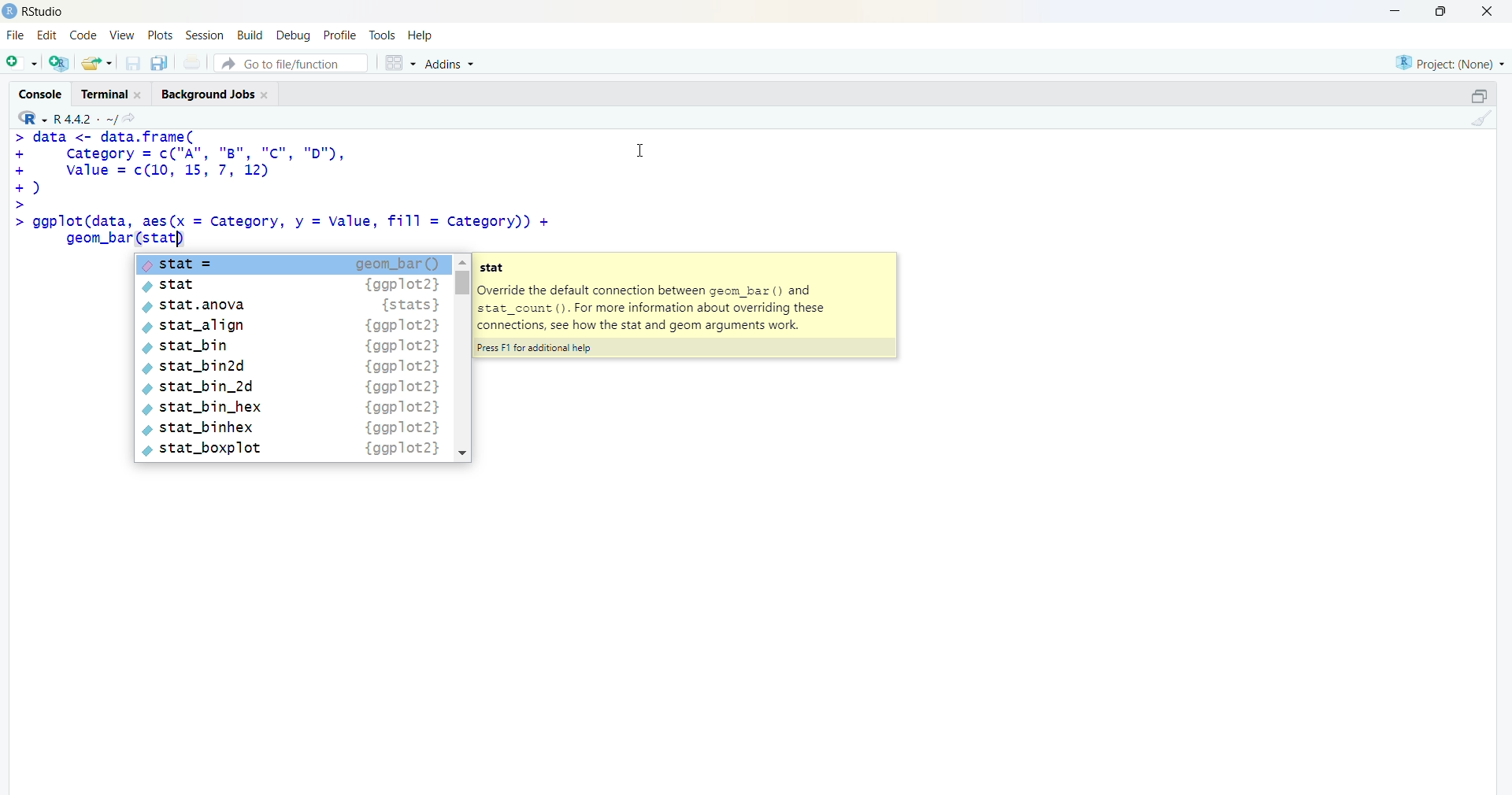 This screenshot has height=795, width=1512. Describe the element at coordinates (249, 35) in the screenshot. I see `build` at that location.